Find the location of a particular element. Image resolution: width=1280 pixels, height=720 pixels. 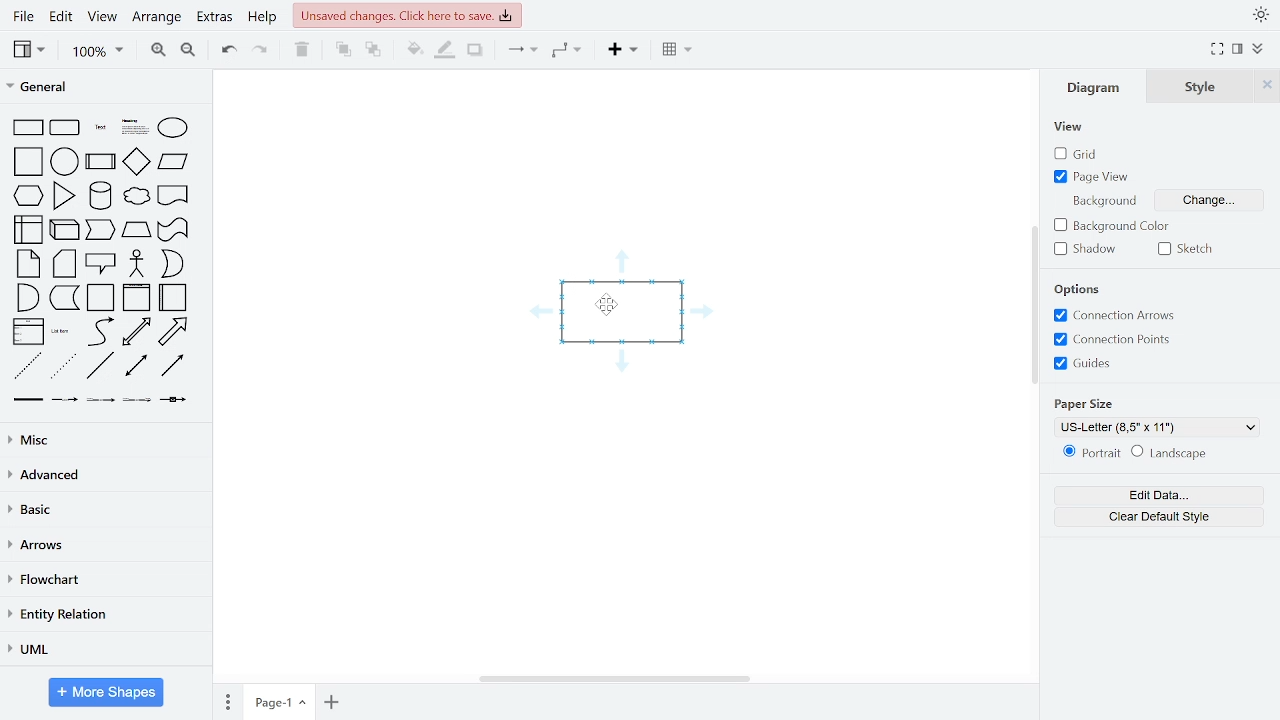

data storage is located at coordinates (64, 298).